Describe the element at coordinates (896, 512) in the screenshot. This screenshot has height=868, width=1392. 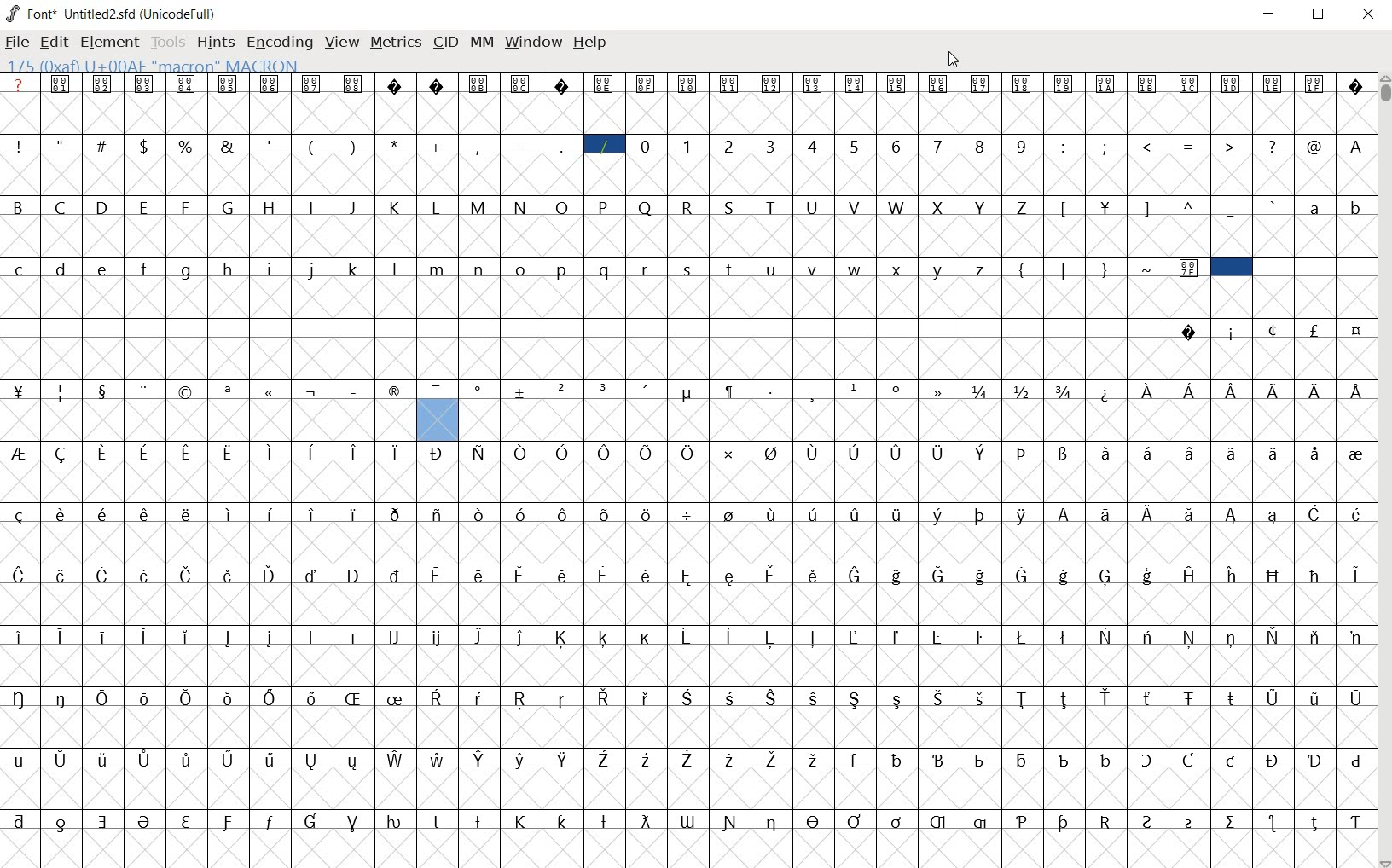
I see `Symbol` at that location.